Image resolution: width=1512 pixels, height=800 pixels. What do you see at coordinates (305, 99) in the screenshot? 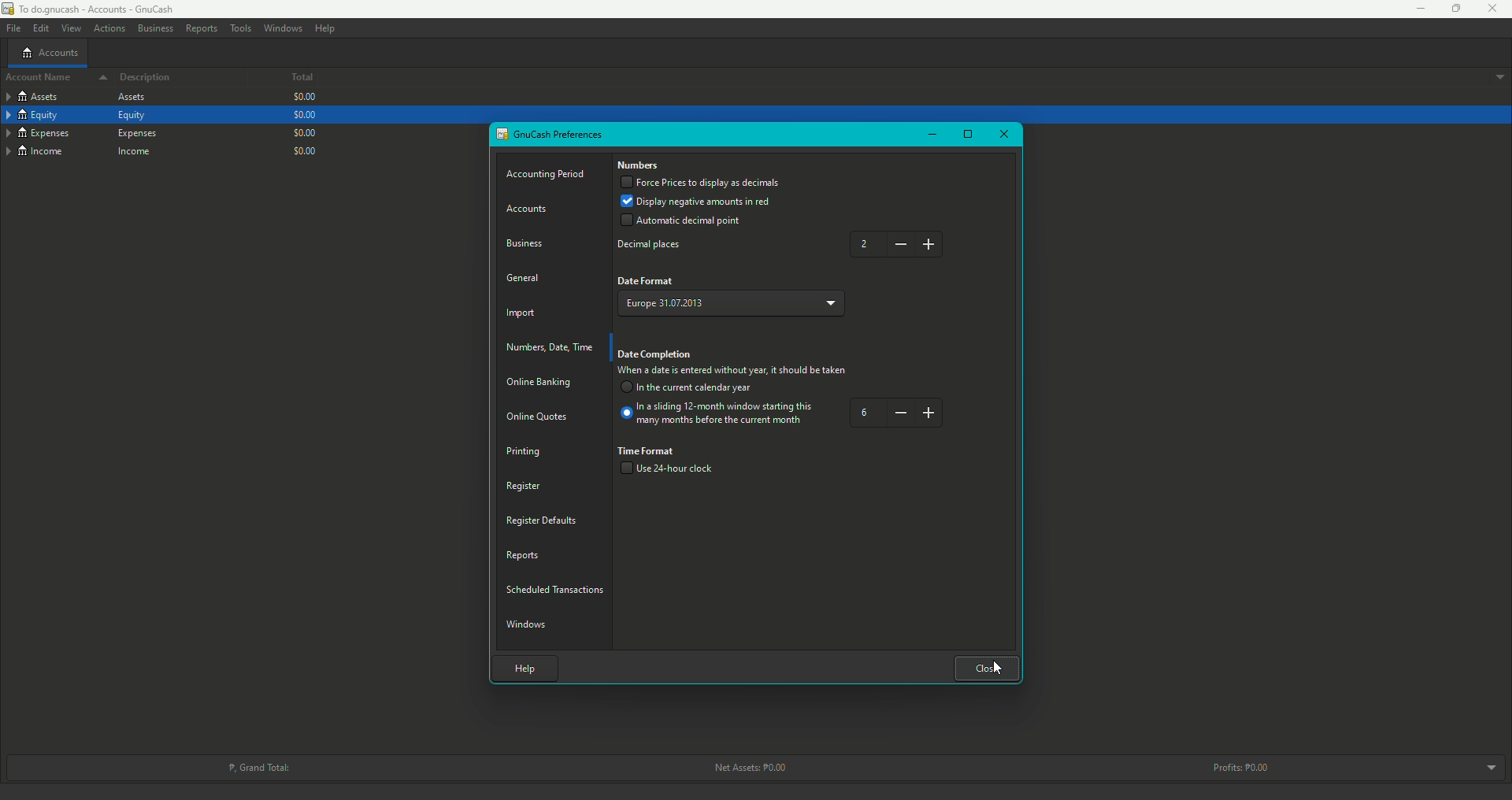
I see `$0` at bounding box center [305, 99].